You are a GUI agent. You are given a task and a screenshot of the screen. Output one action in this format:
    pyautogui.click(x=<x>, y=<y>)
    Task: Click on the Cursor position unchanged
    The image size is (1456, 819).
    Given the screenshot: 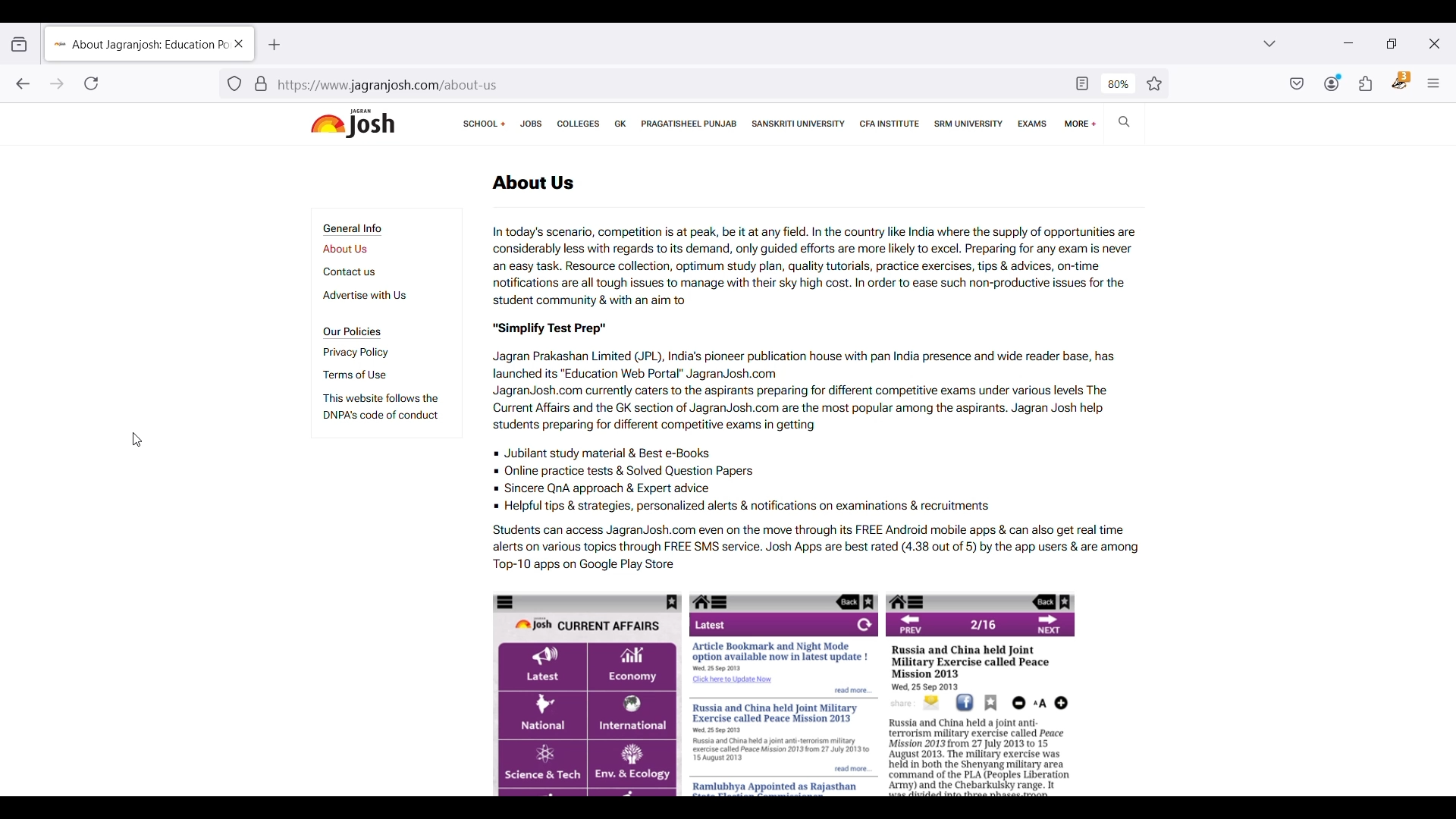 What is the action you would take?
    pyautogui.click(x=137, y=440)
    